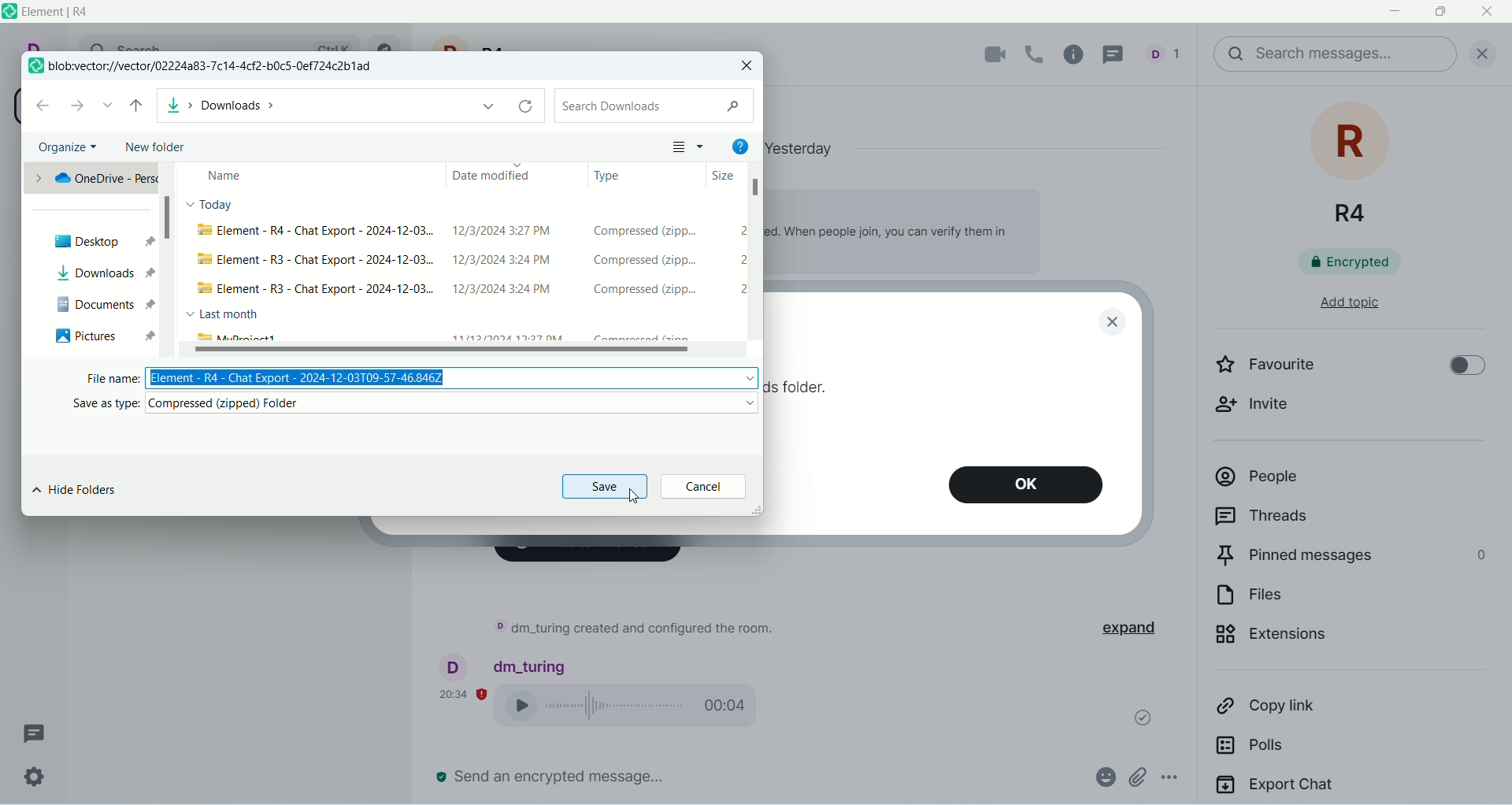  Describe the element at coordinates (1333, 483) in the screenshot. I see `people` at that location.